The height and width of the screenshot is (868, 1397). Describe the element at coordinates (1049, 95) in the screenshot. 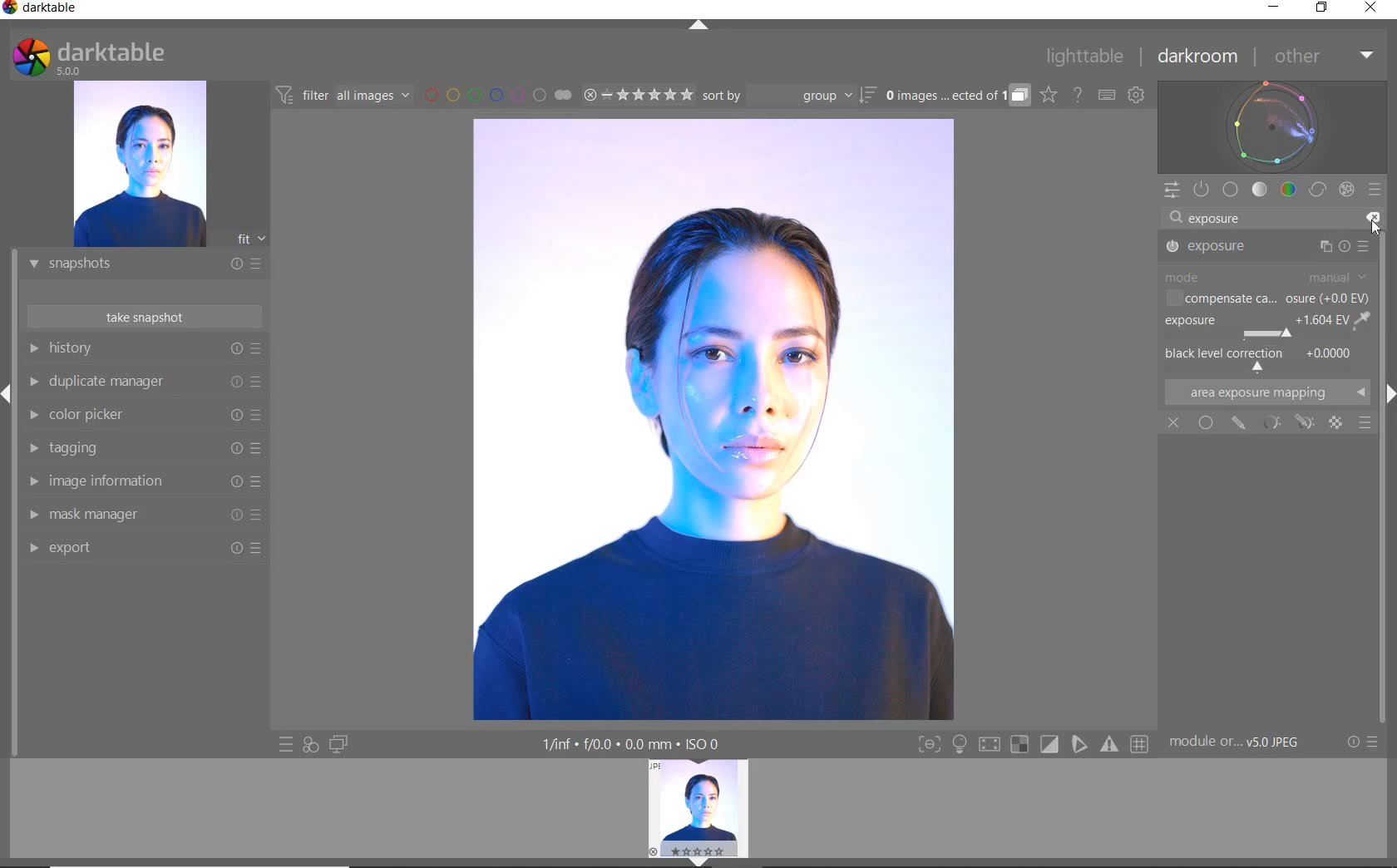

I see `CLICK TO CHANGE THE OVERLAYS SHOWN ON THUMBNAILS` at that location.